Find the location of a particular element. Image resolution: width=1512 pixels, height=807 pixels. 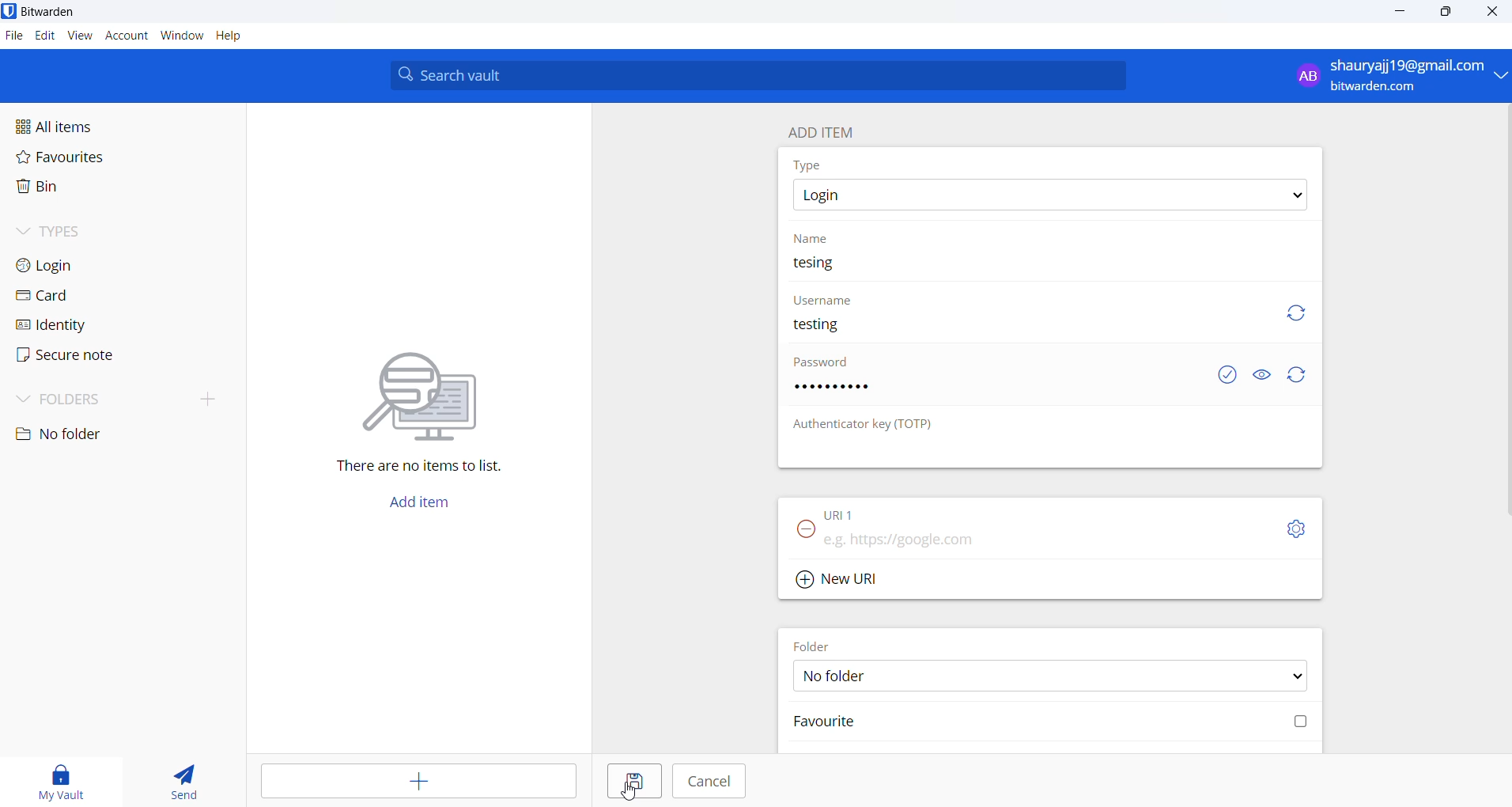

folders is located at coordinates (95, 401).